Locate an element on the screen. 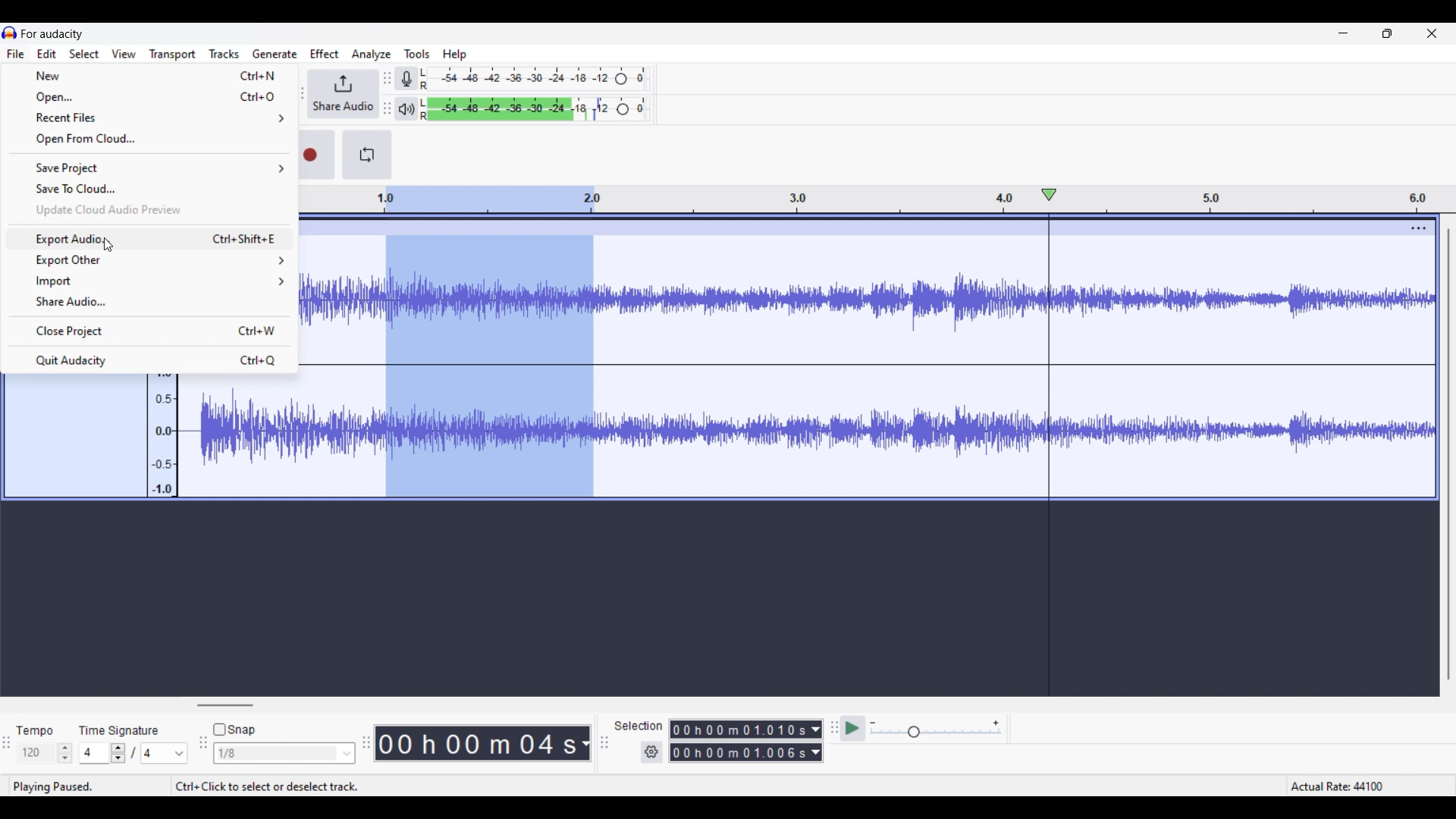 The width and height of the screenshot is (1456, 819). Transport menu is located at coordinates (173, 55).